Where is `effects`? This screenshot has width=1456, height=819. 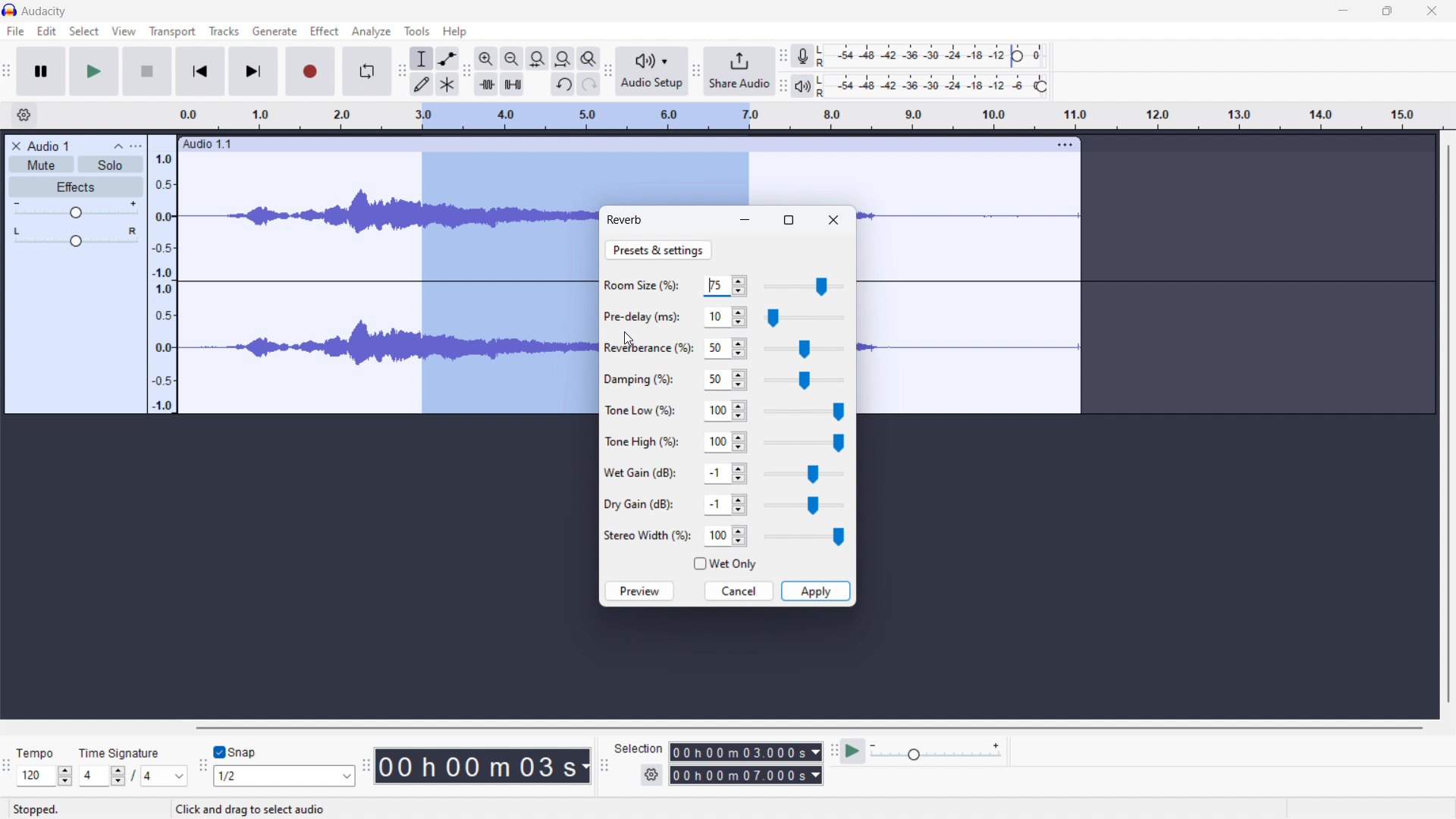
effects is located at coordinates (75, 187).